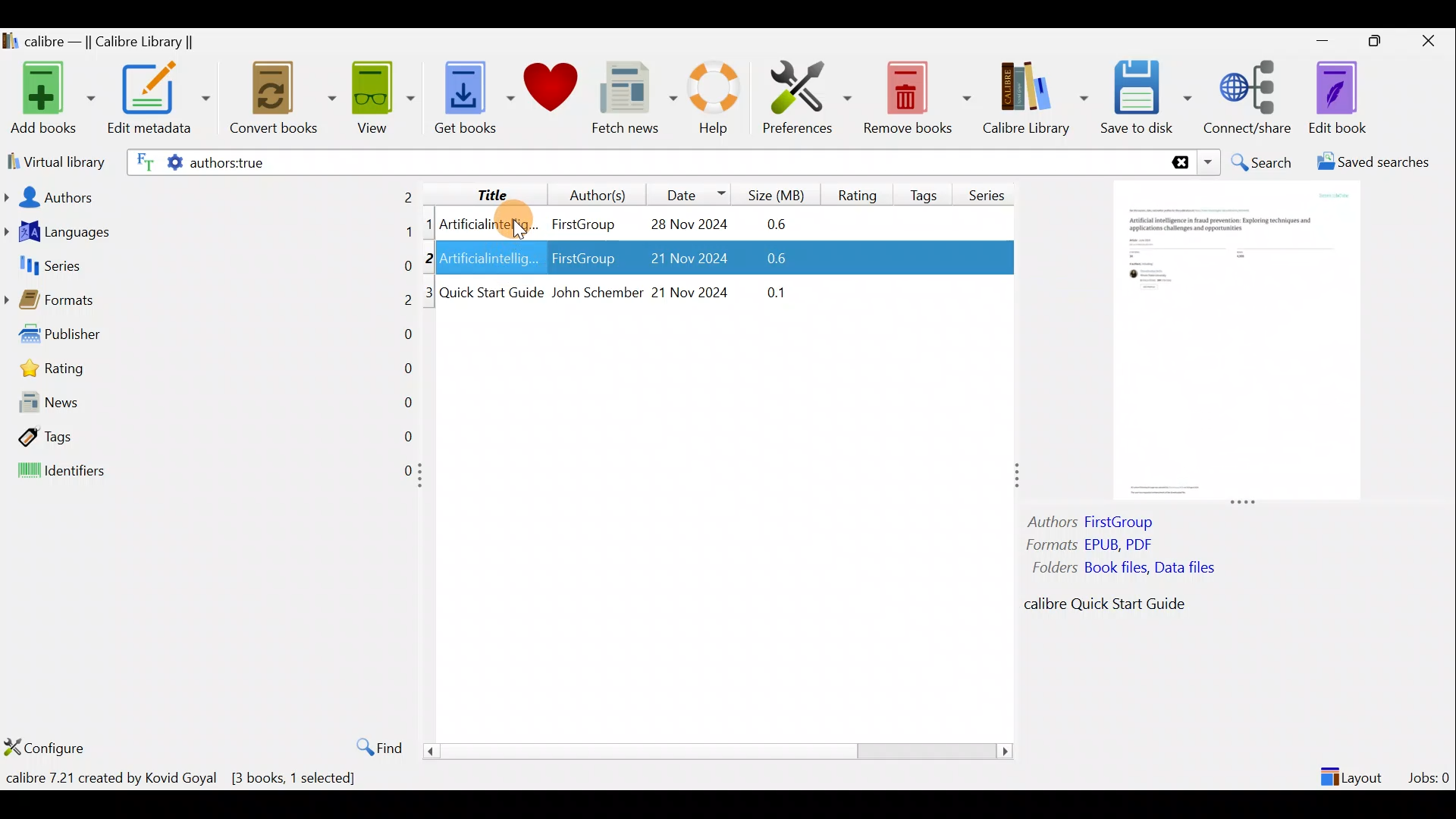 The image size is (1456, 819). I want to click on Authors, so click(210, 196).